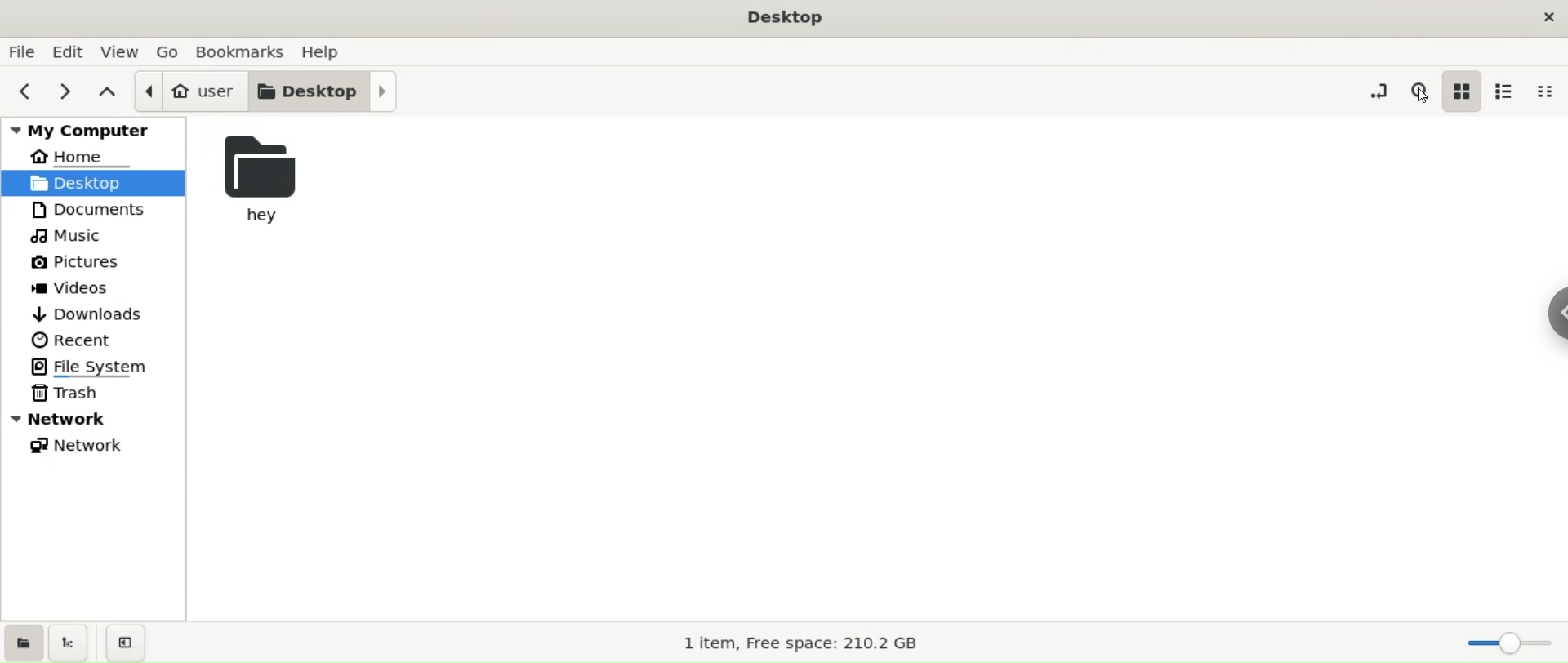 The width and height of the screenshot is (1568, 663). Describe the element at coordinates (167, 52) in the screenshot. I see `go` at that location.